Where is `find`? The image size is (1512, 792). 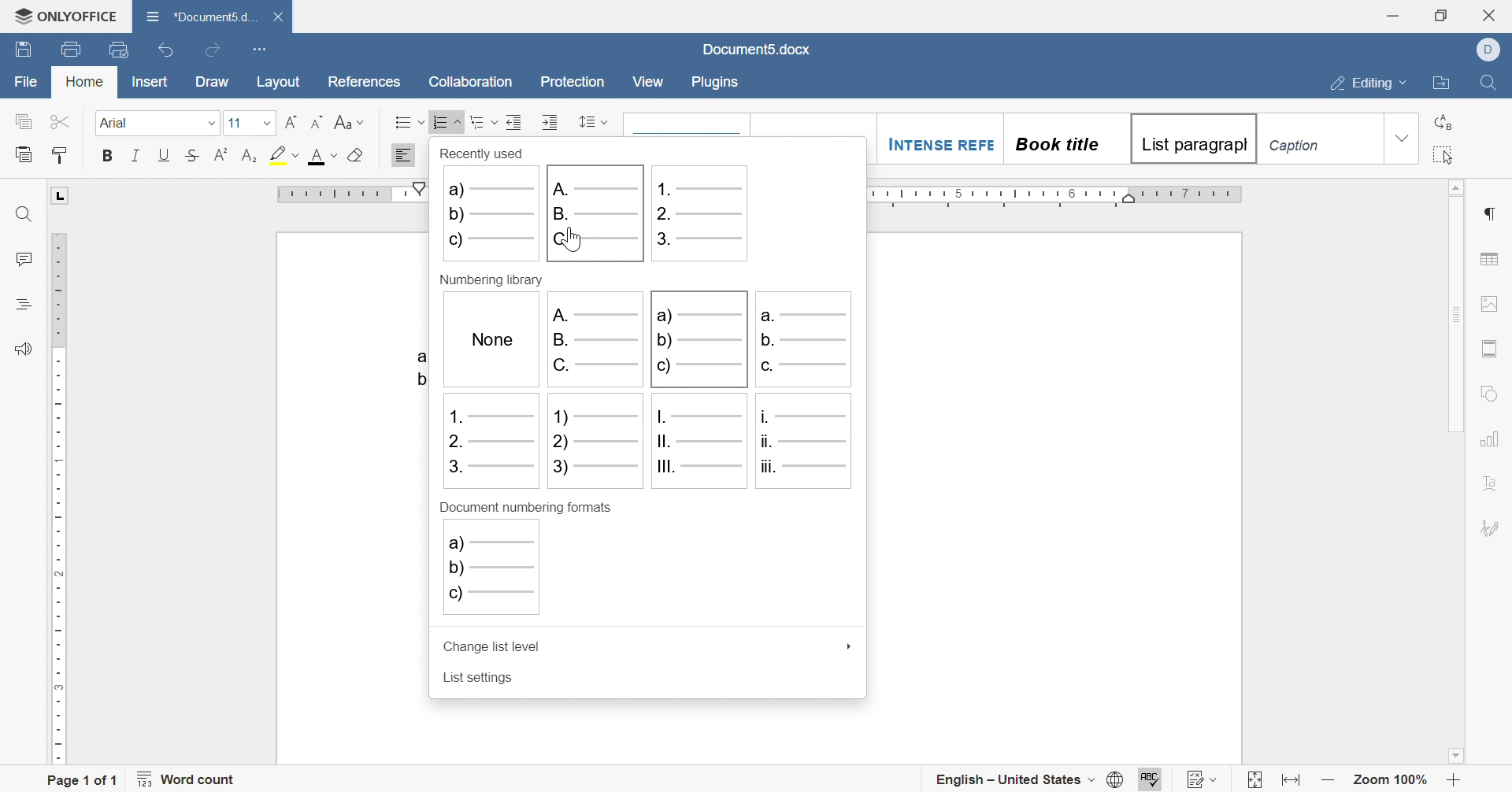 find is located at coordinates (24, 217).